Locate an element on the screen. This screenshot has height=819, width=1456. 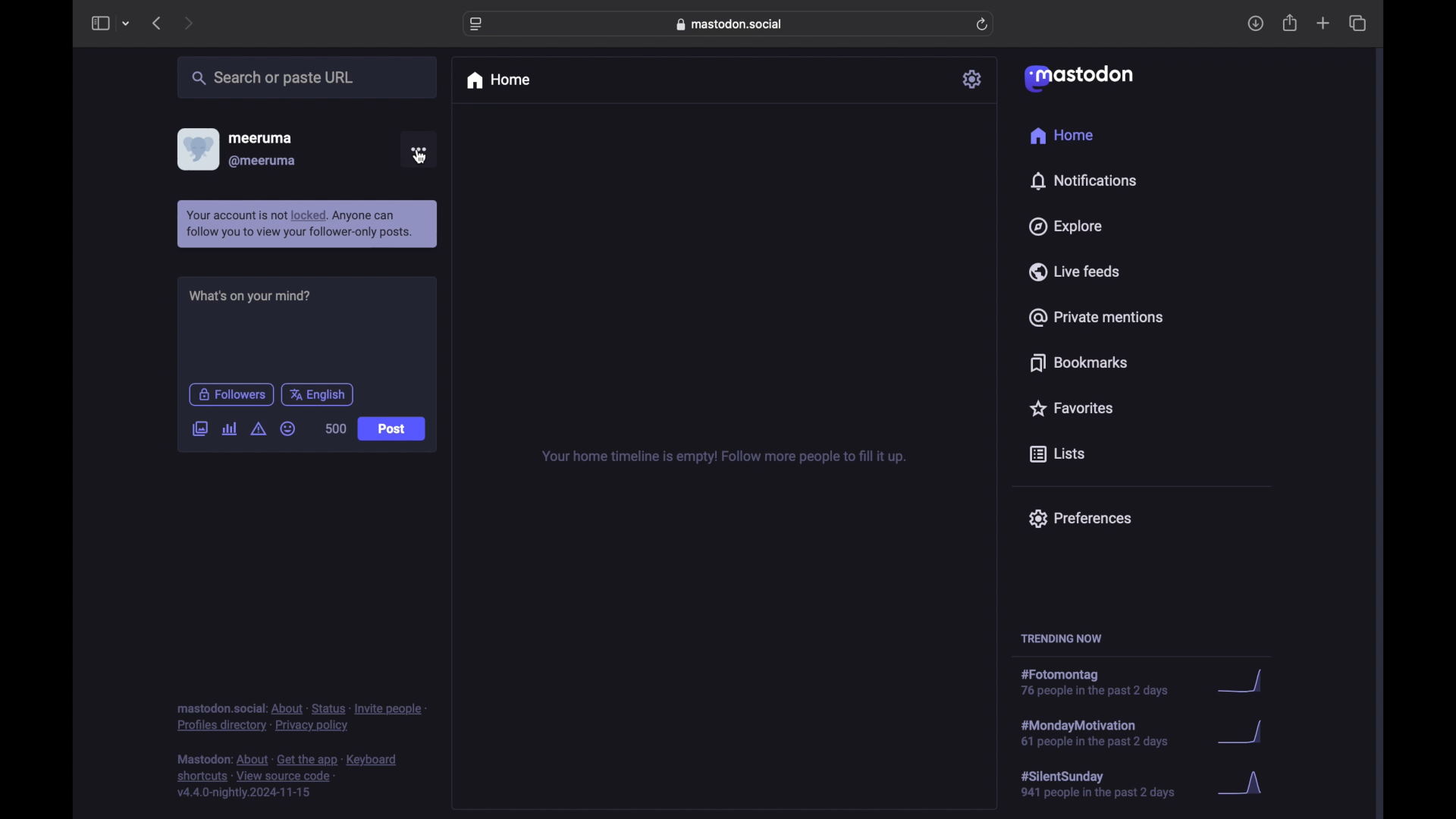
english is located at coordinates (318, 394).